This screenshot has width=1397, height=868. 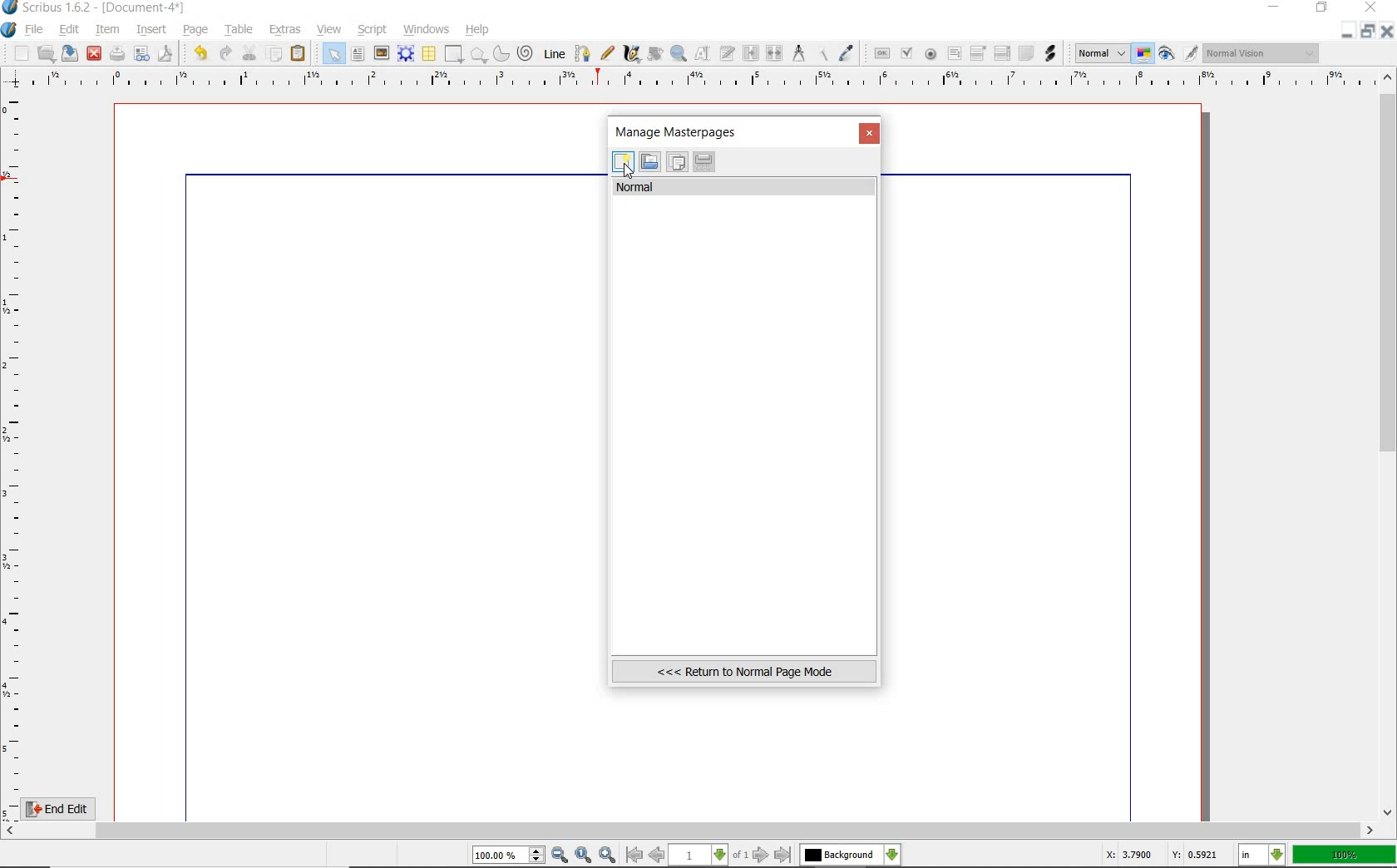 What do you see at coordinates (580, 53) in the screenshot?
I see `Bezier curve` at bounding box center [580, 53].